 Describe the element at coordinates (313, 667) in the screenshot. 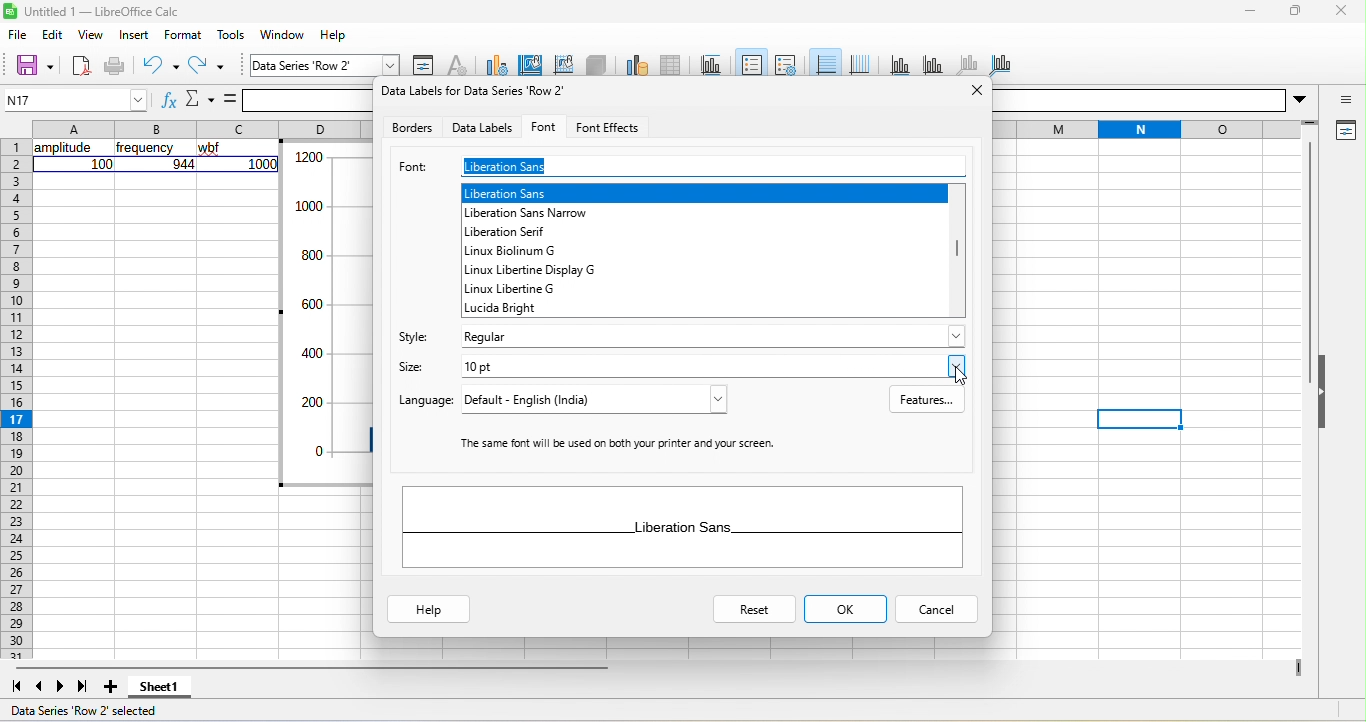

I see `horizontal scroll bar` at that location.